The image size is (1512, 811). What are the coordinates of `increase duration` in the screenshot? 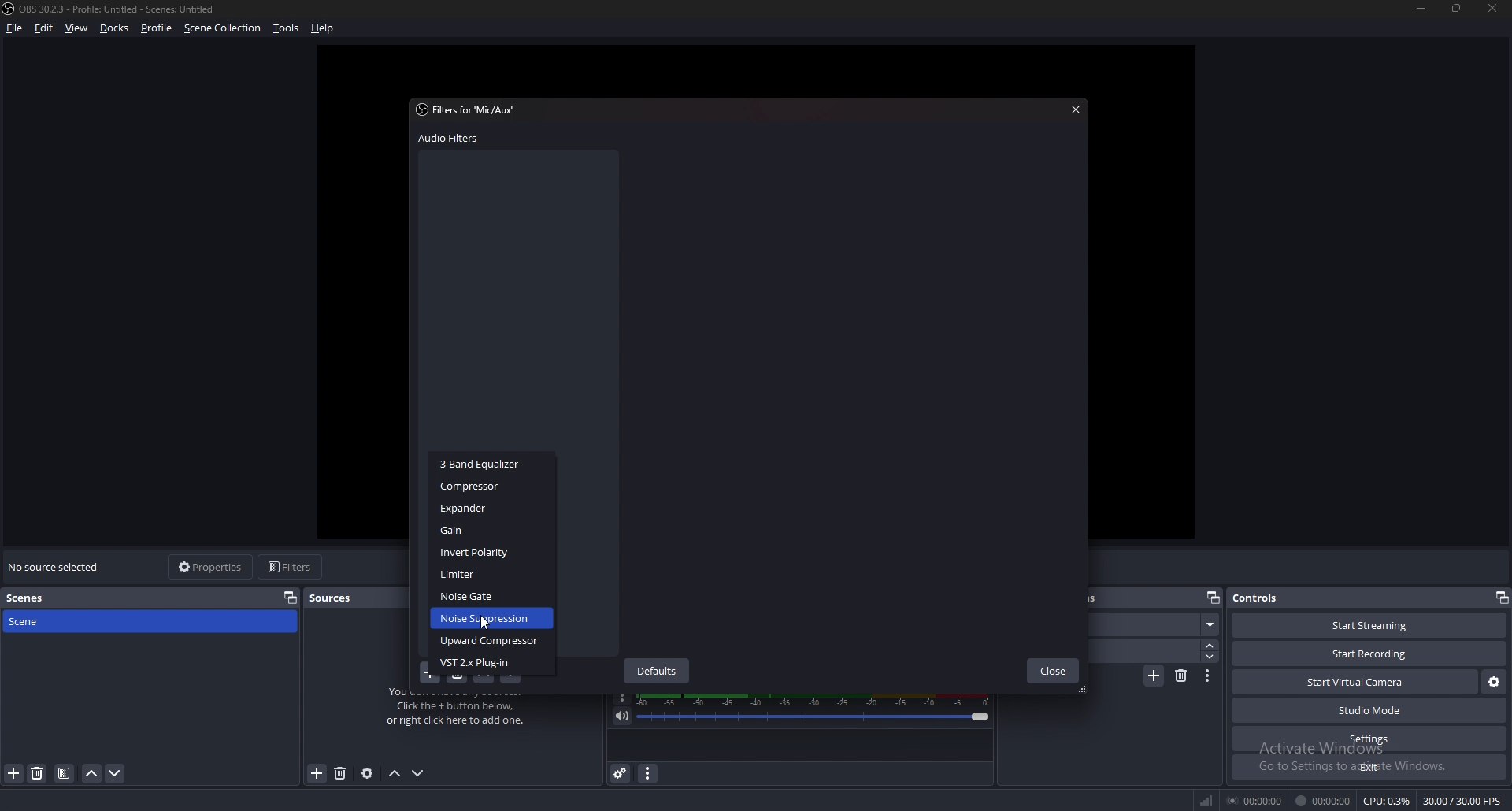 It's located at (1210, 645).